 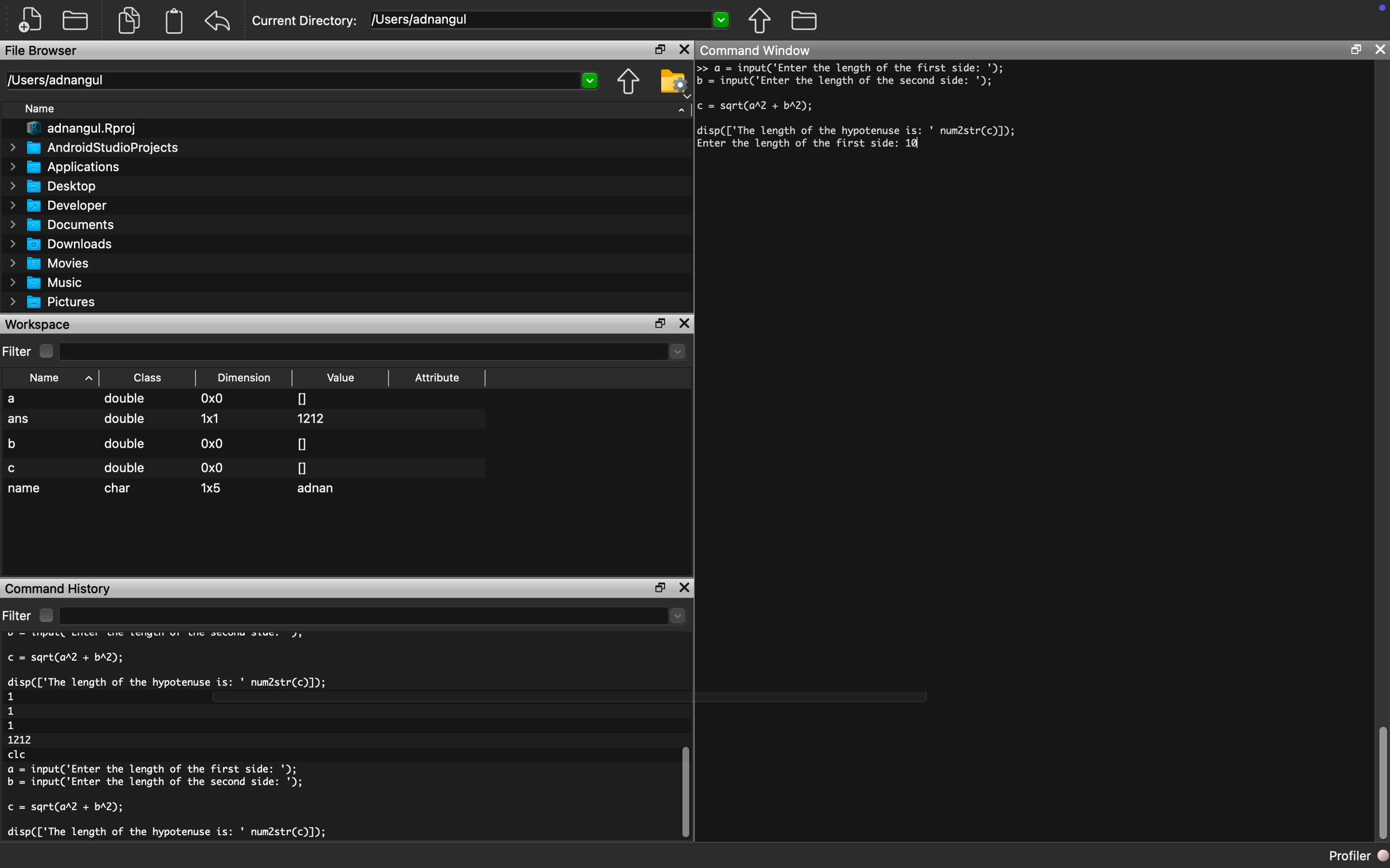 What do you see at coordinates (674, 82) in the screenshot?
I see `folder settings` at bounding box center [674, 82].